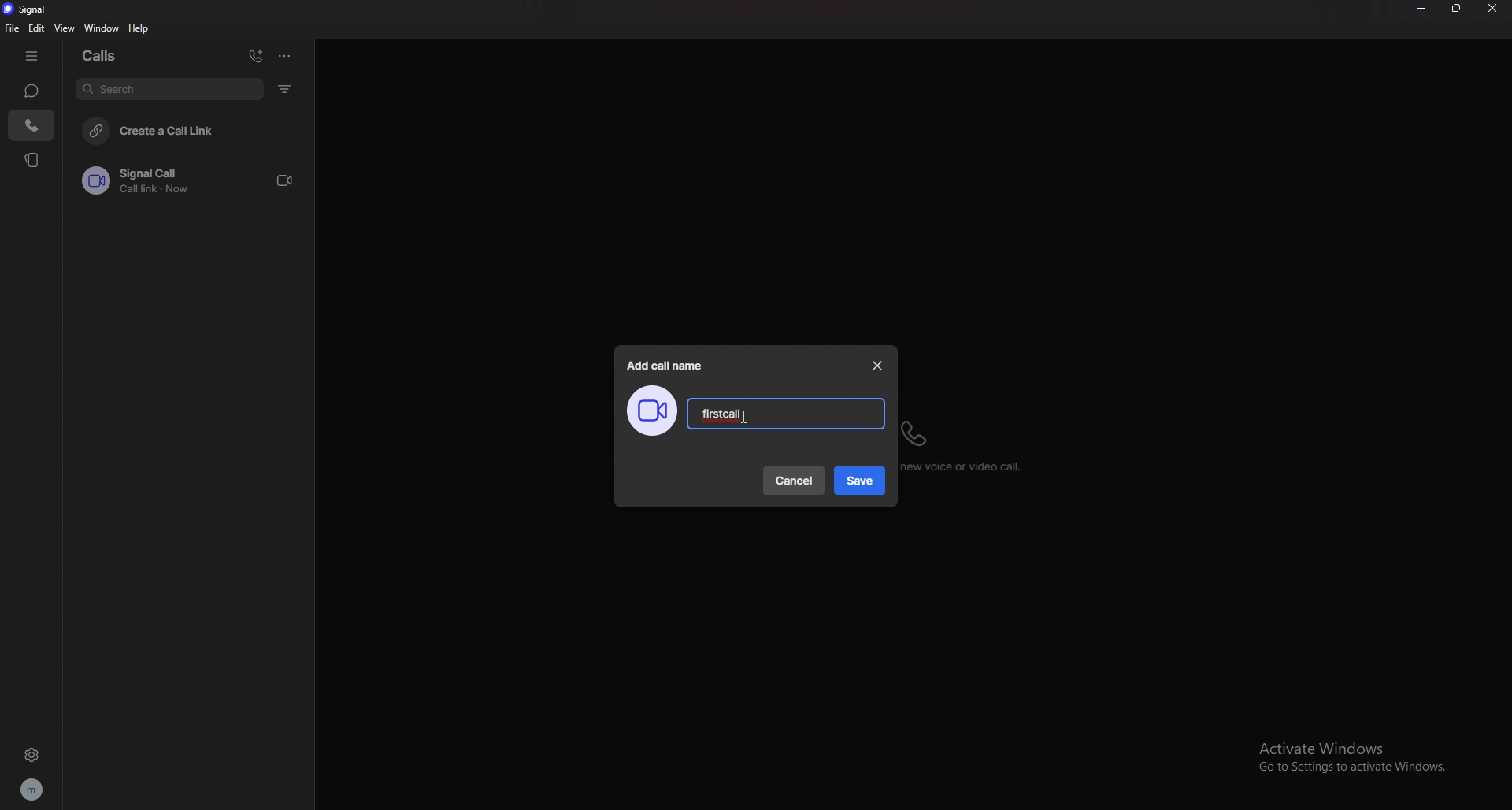 This screenshot has width=1512, height=810. What do you see at coordinates (287, 88) in the screenshot?
I see `filter` at bounding box center [287, 88].